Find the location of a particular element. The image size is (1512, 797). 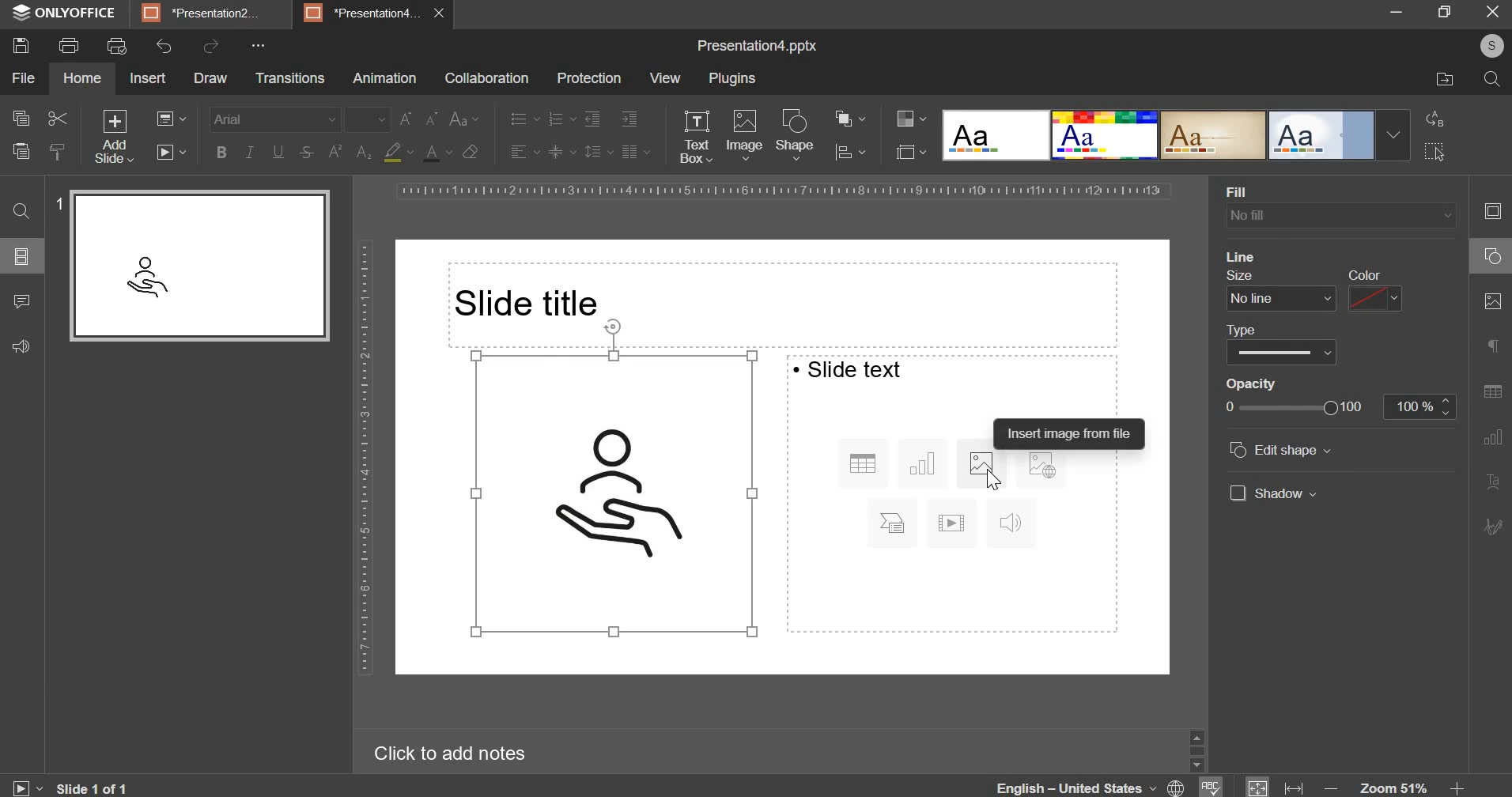

text is located at coordinates (1068, 435).